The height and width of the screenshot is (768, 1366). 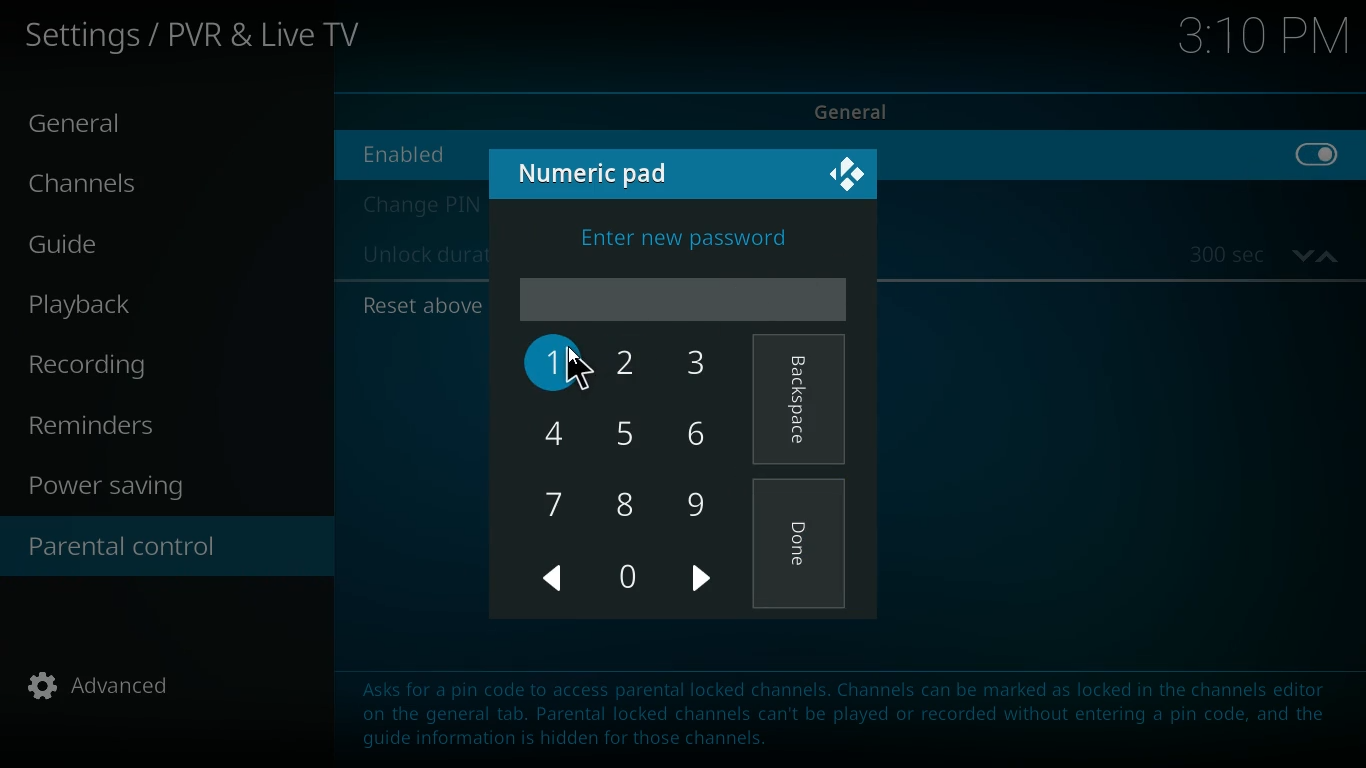 What do you see at coordinates (629, 432) in the screenshot?
I see `5` at bounding box center [629, 432].